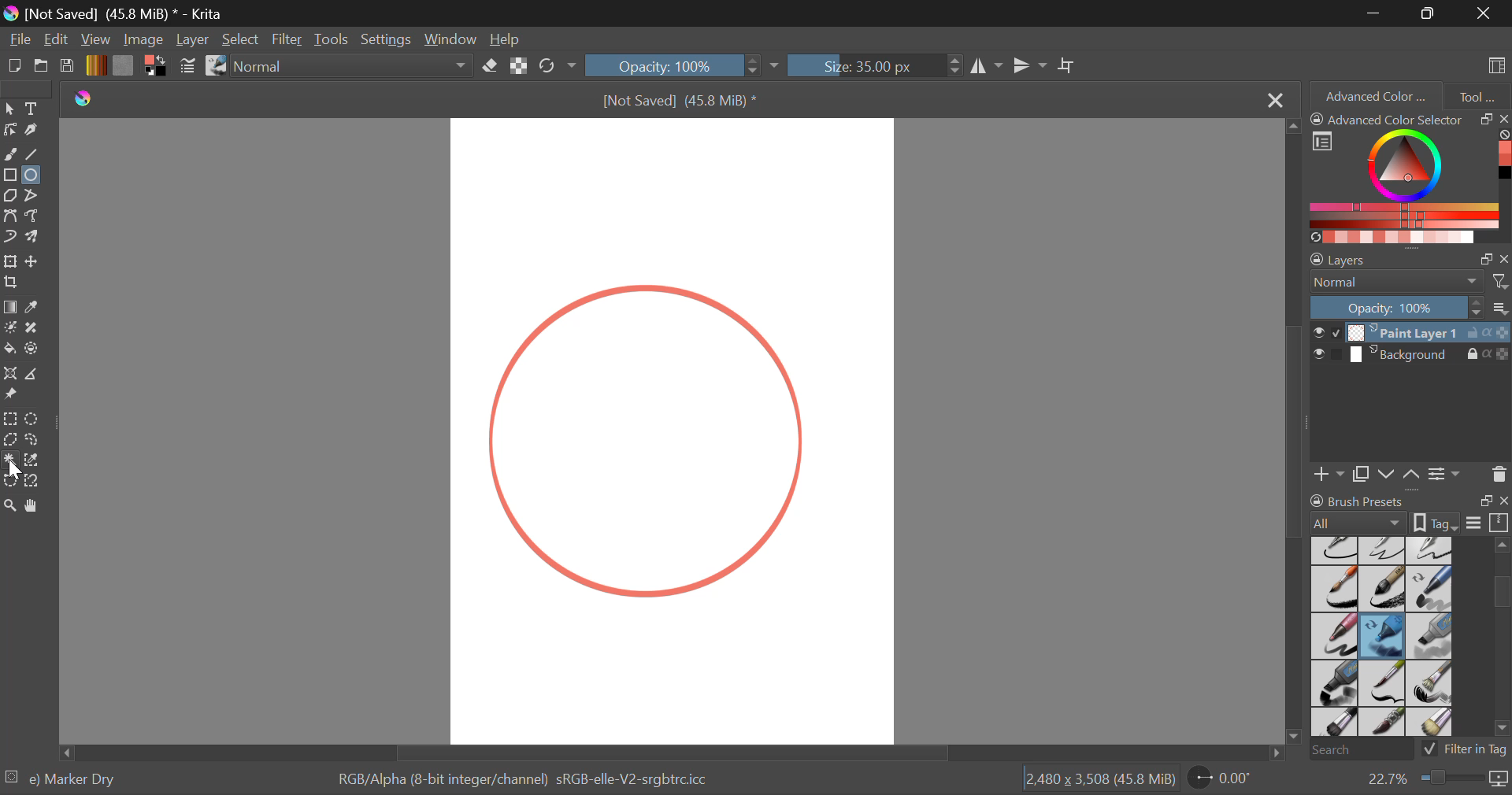 This screenshot has height=795, width=1512. I want to click on Color Display Info, so click(528, 782).